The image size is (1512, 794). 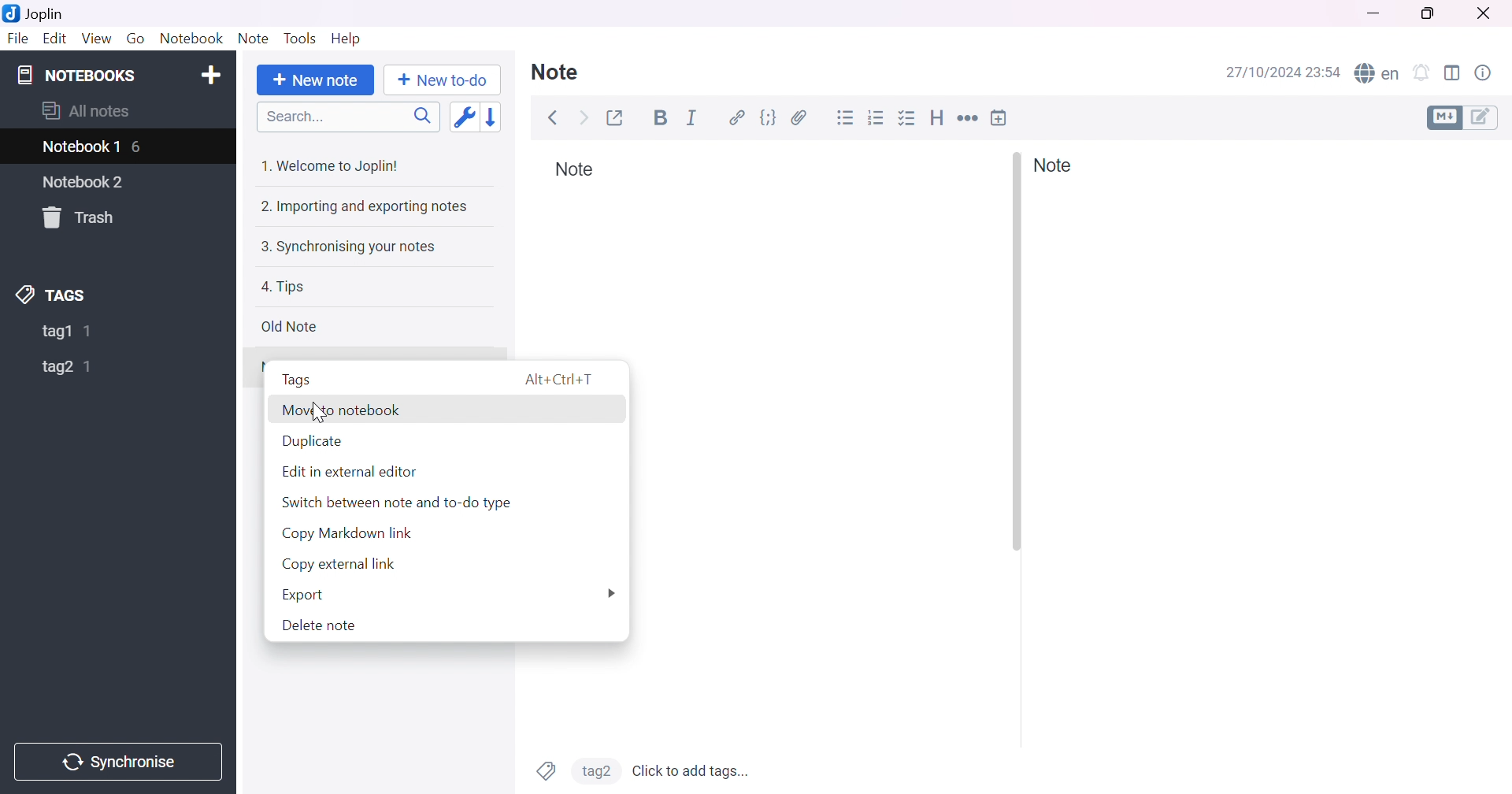 I want to click on Spell checker, so click(x=1377, y=71).